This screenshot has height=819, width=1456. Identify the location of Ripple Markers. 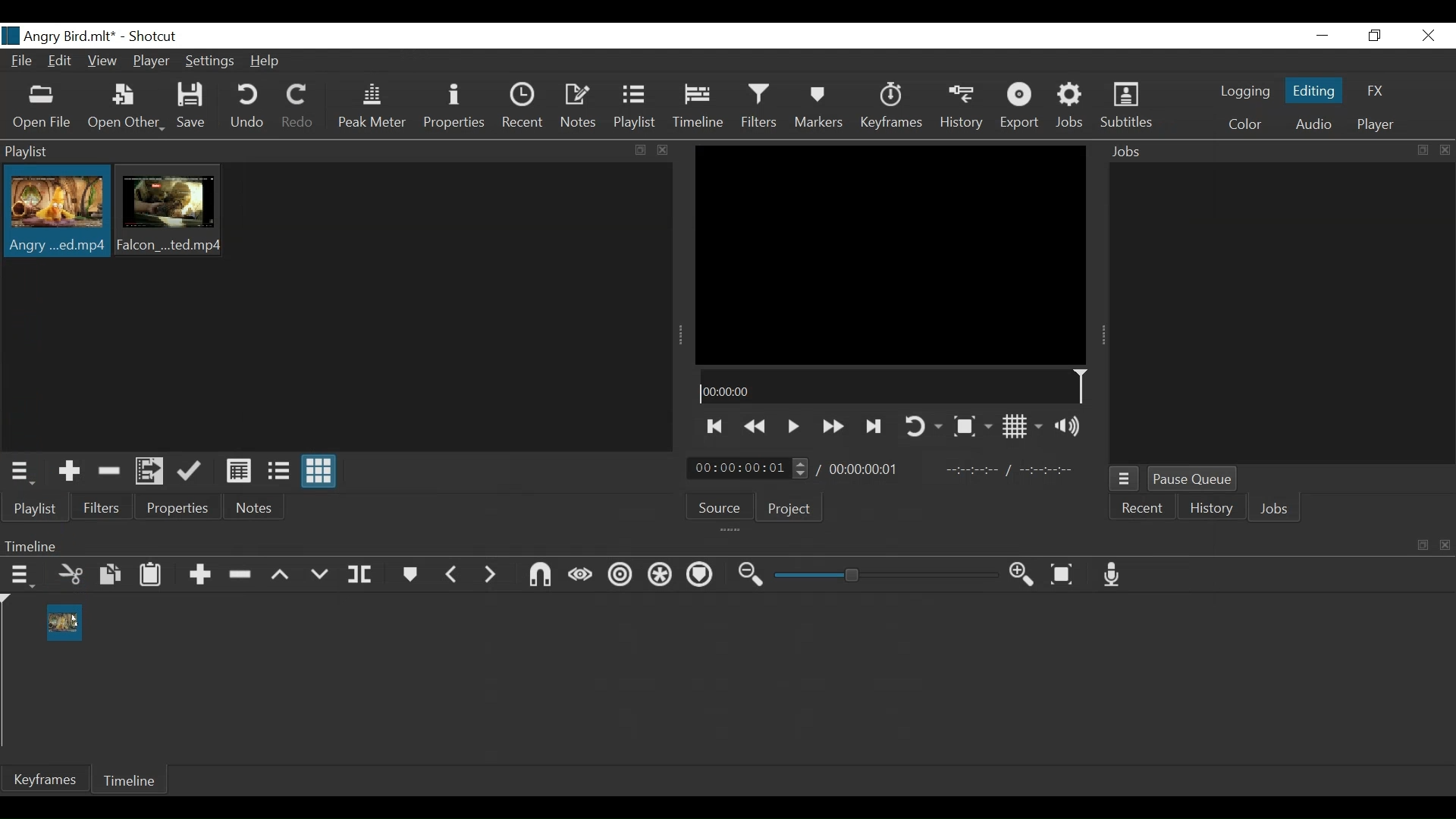
(699, 574).